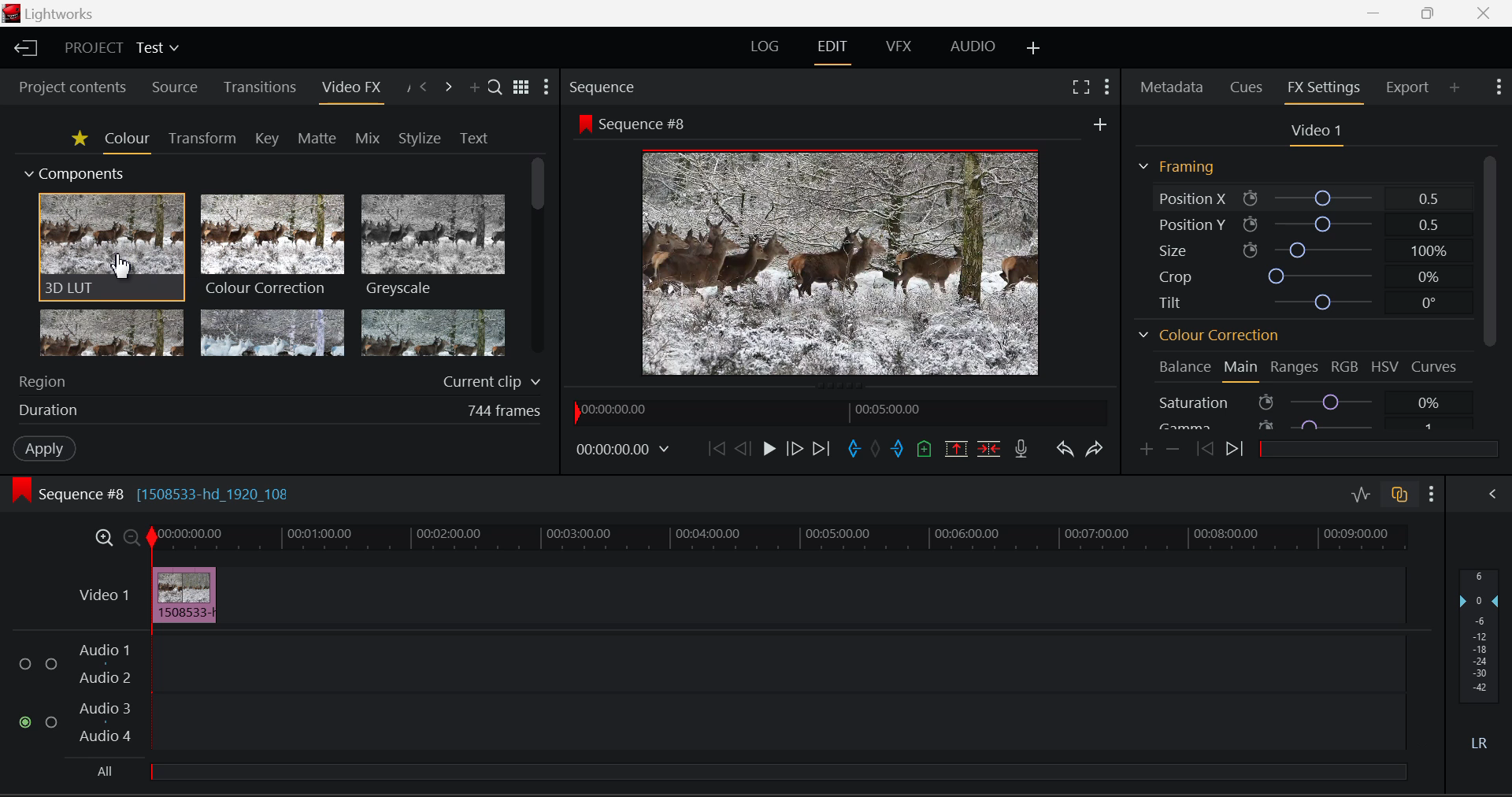  I want to click on Scroll Bar, so click(1492, 289).